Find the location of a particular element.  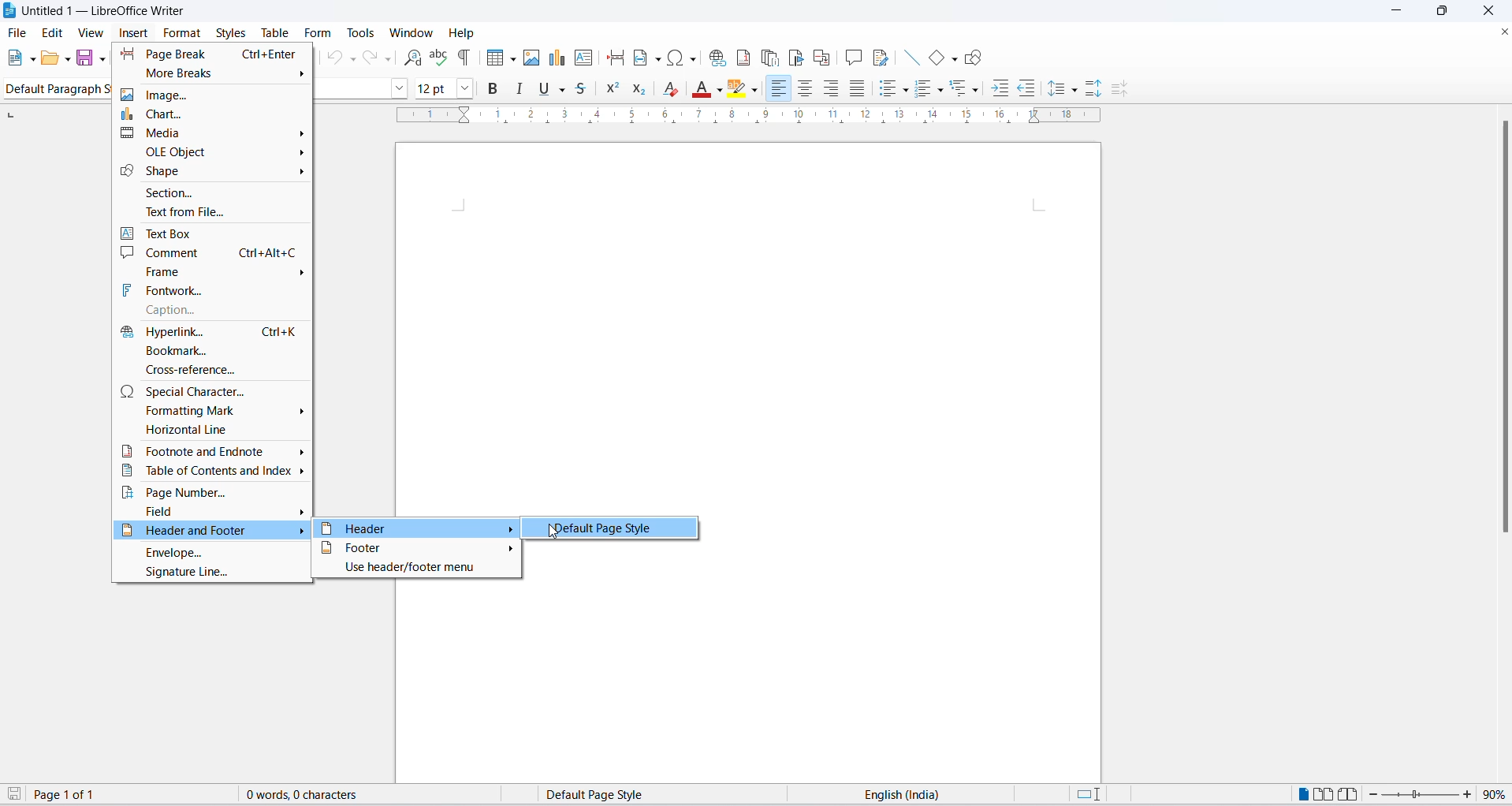

media is located at coordinates (210, 135).